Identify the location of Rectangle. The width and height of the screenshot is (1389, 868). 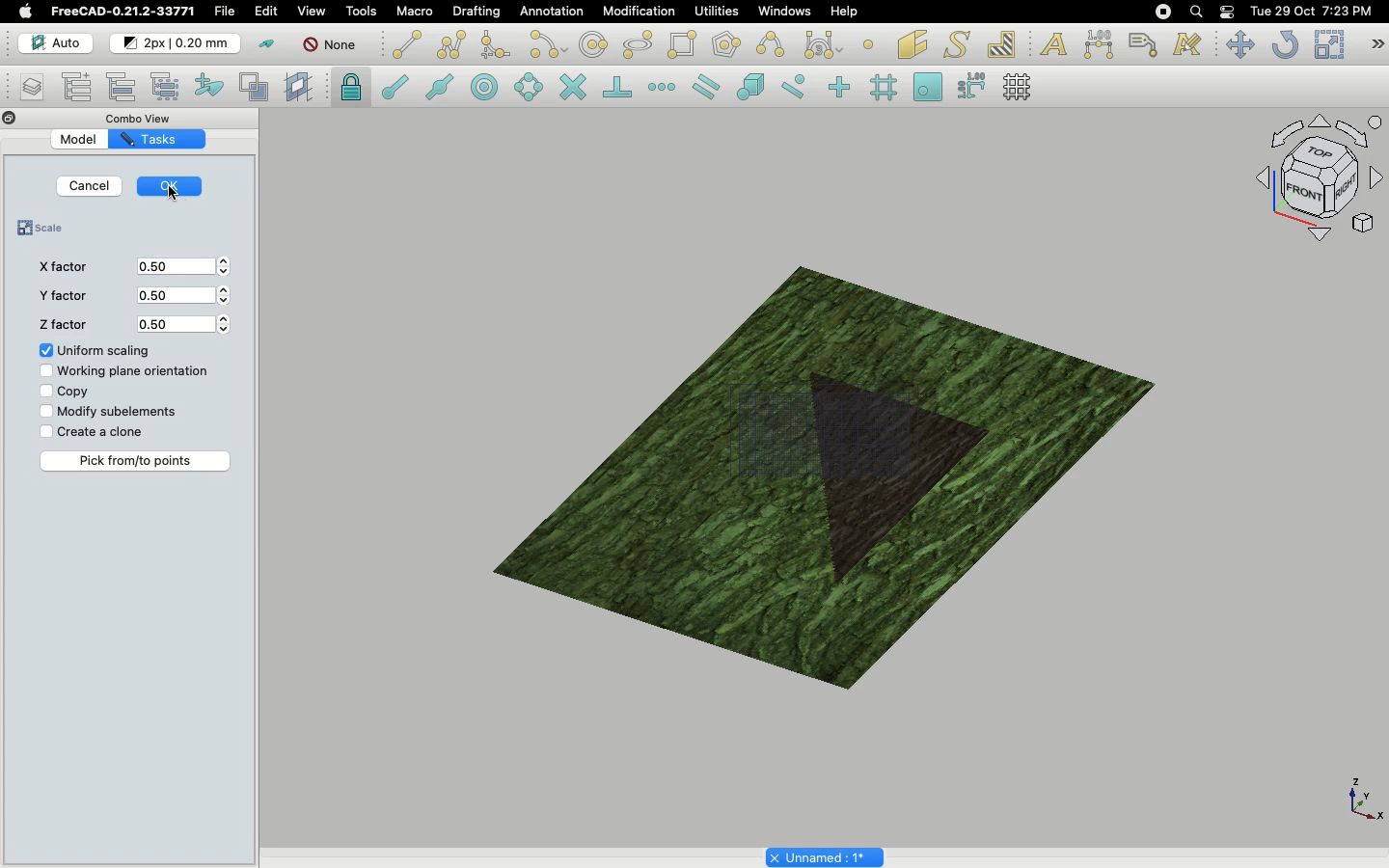
(681, 44).